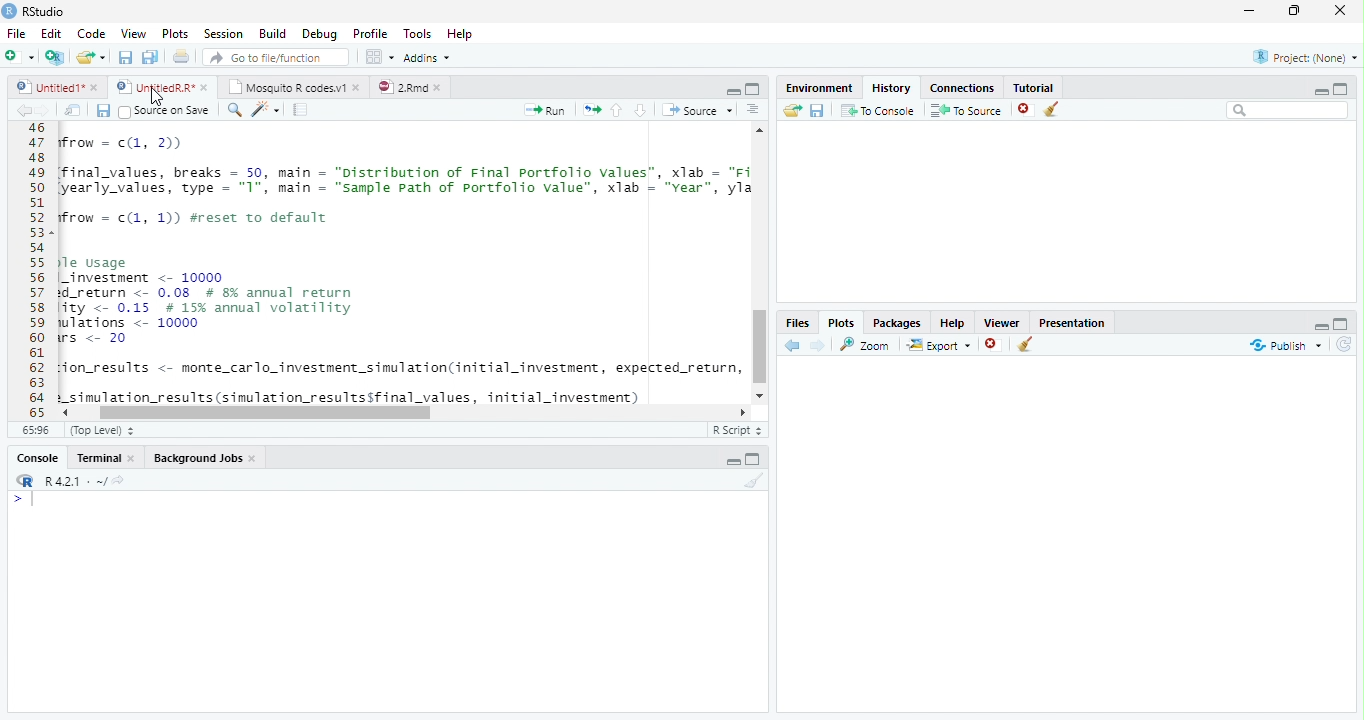  What do you see at coordinates (132, 32) in the screenshot?
I see `View` at bounding box center [132, 32].